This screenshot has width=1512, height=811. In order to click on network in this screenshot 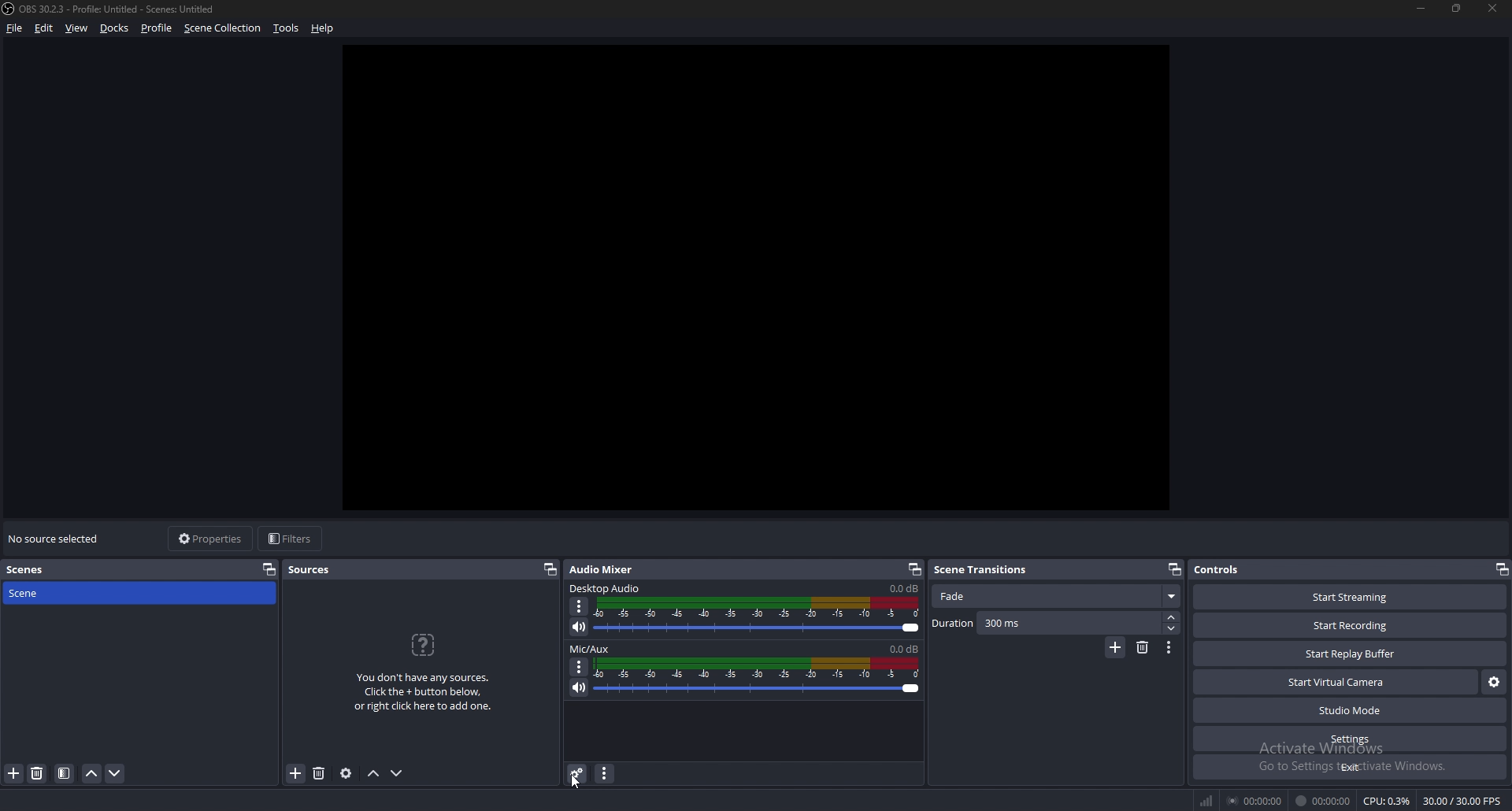, I will do `click(1208, 801)`.